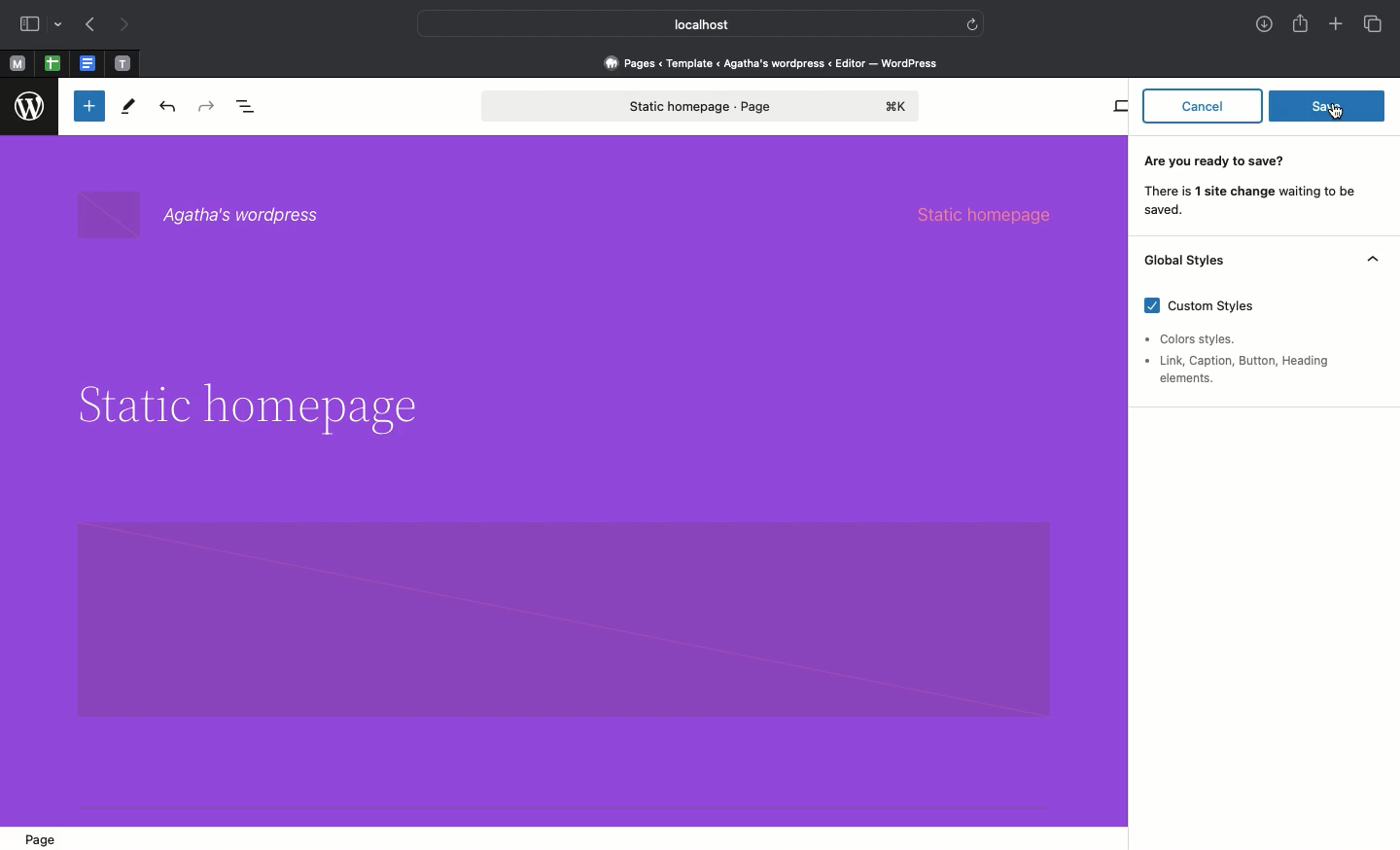 Image resolution: width=1400 pixels, height=850 pixels. I want to click on drop-down, so click(61, 25).